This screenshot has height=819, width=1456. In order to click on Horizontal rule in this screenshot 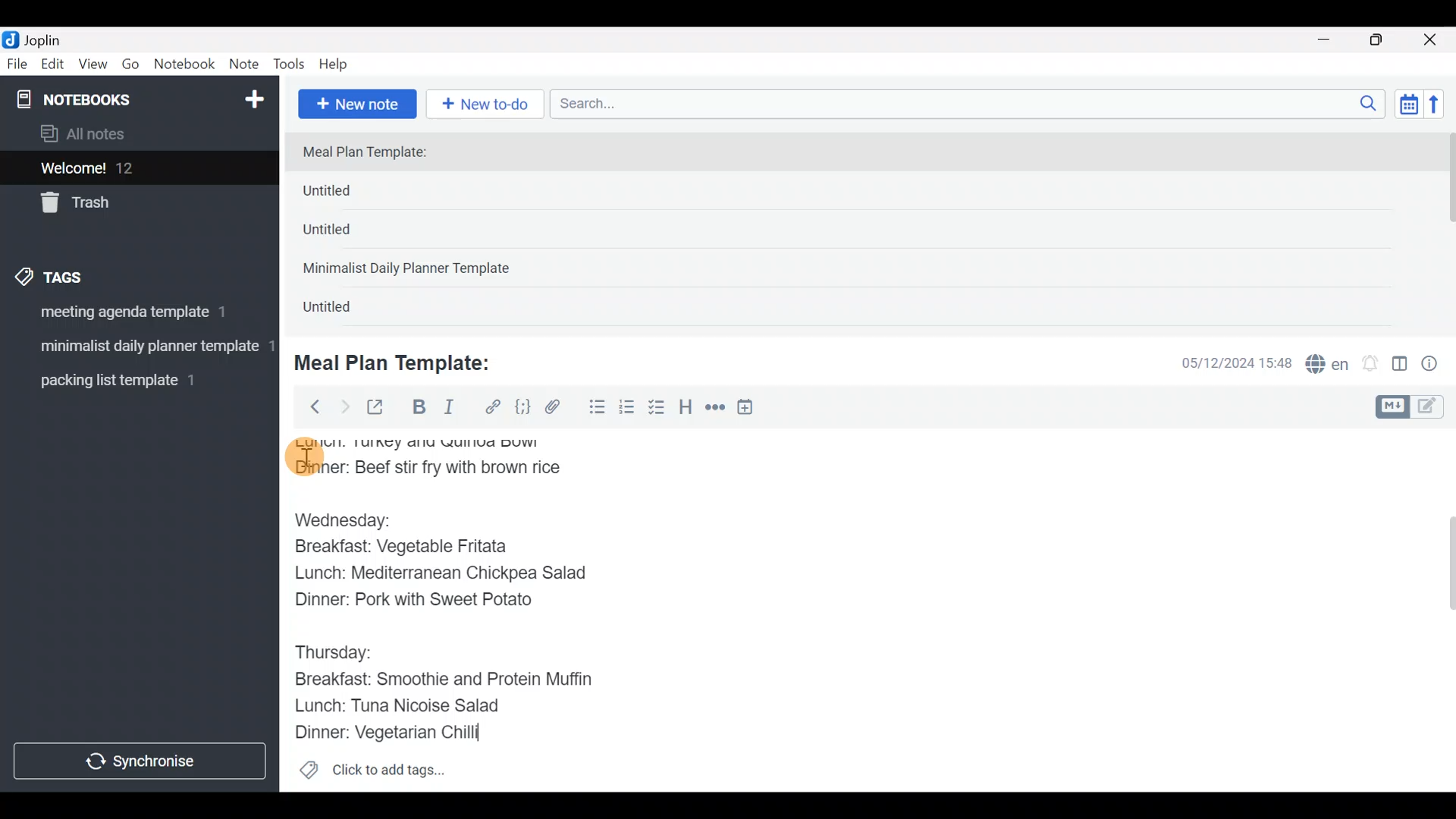, I will do `click(715, 409)`.